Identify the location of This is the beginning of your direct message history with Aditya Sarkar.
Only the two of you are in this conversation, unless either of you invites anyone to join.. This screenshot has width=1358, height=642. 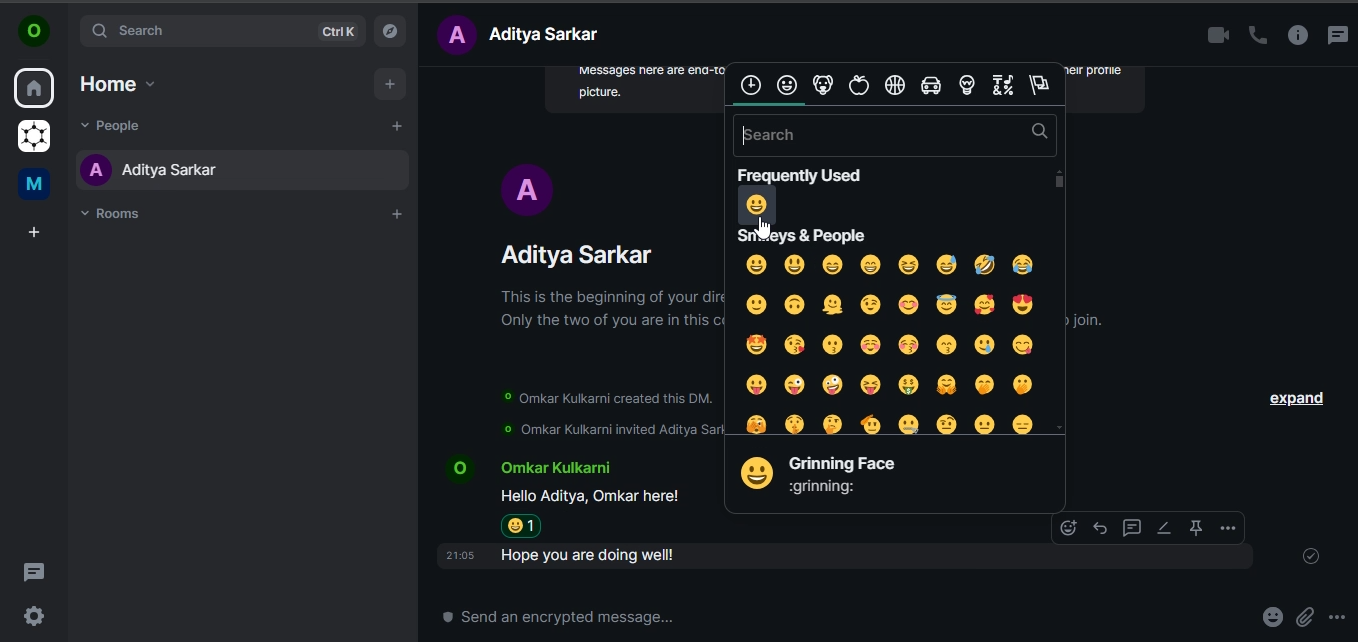
(607, 310).